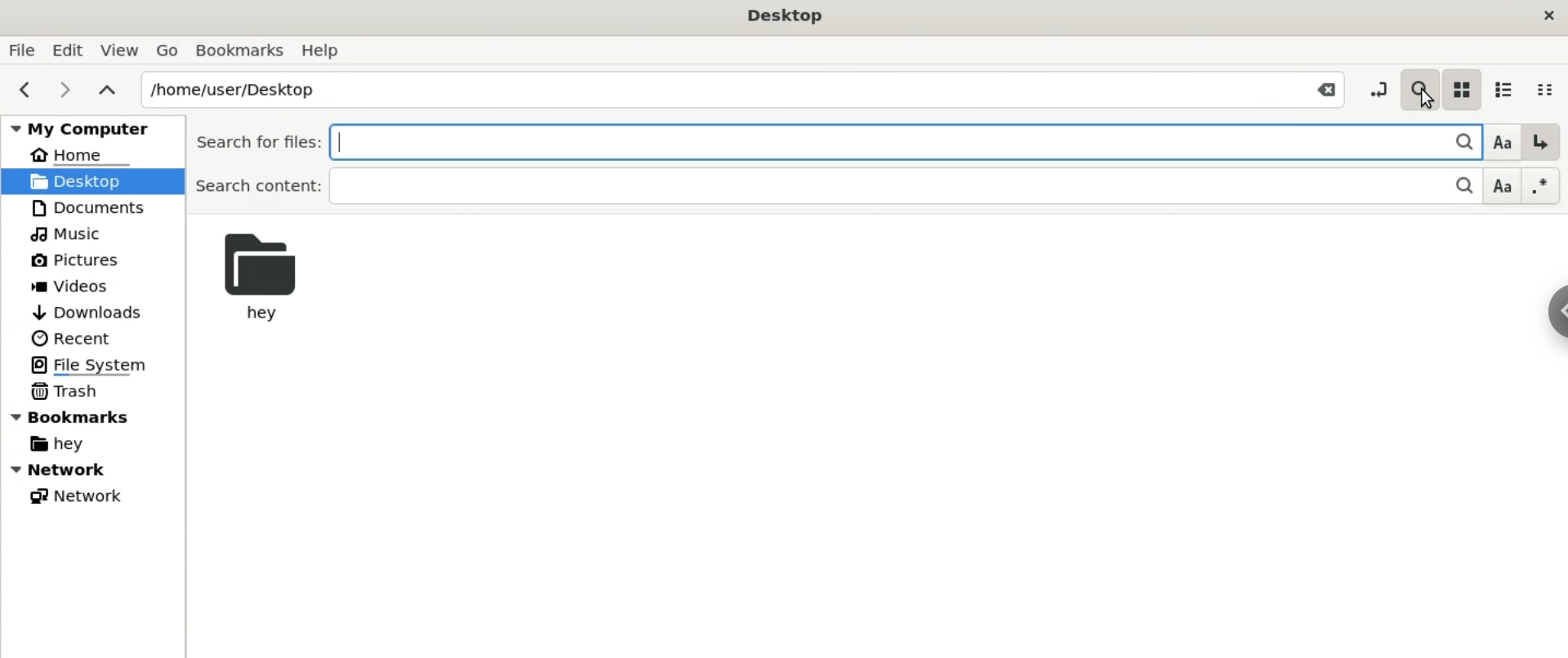 The height and width of the screenshot is (658, 1568). I want to click on Documents, so click(90, 207).